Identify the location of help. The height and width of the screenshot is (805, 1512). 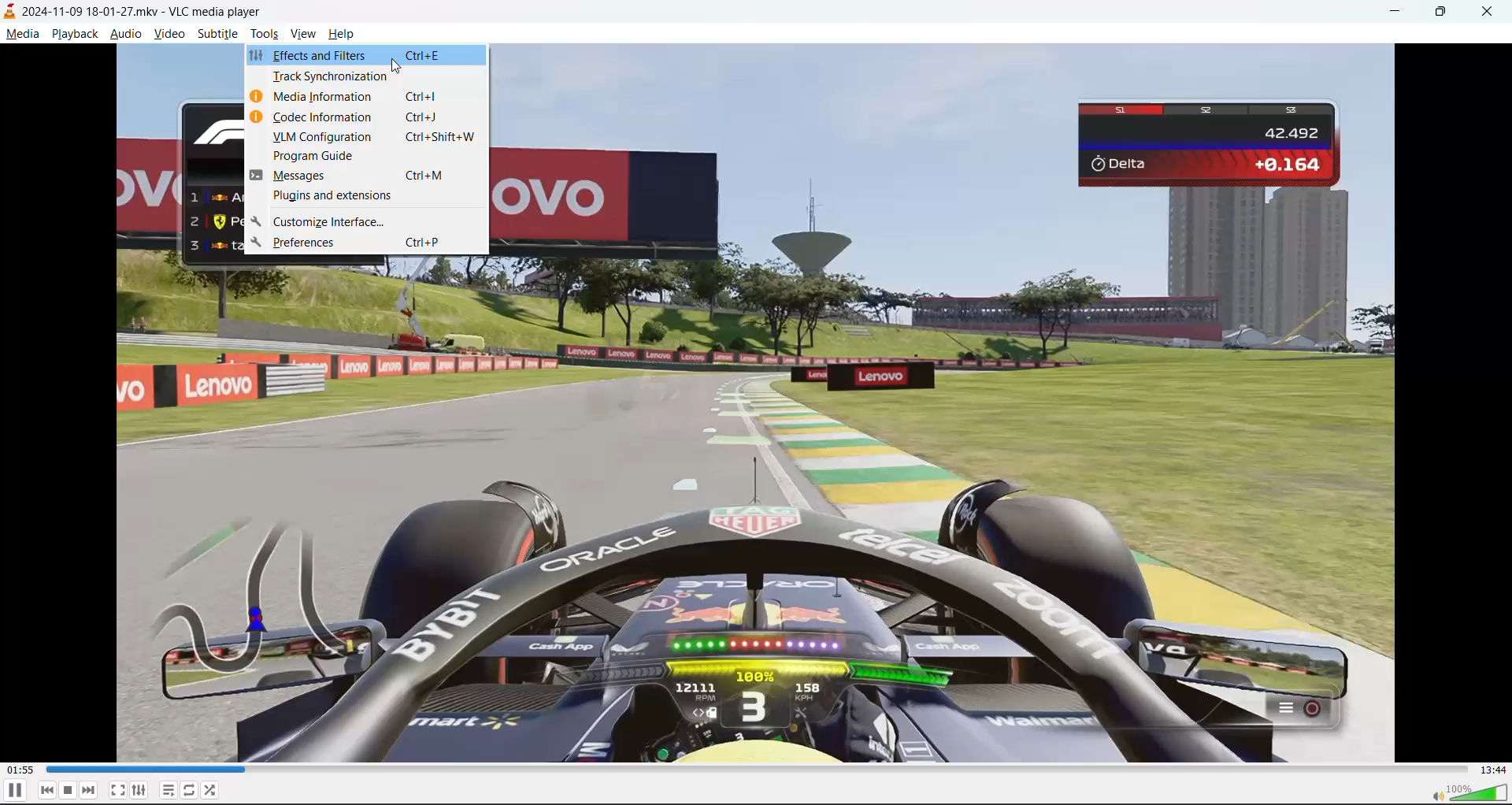
(340, 37).